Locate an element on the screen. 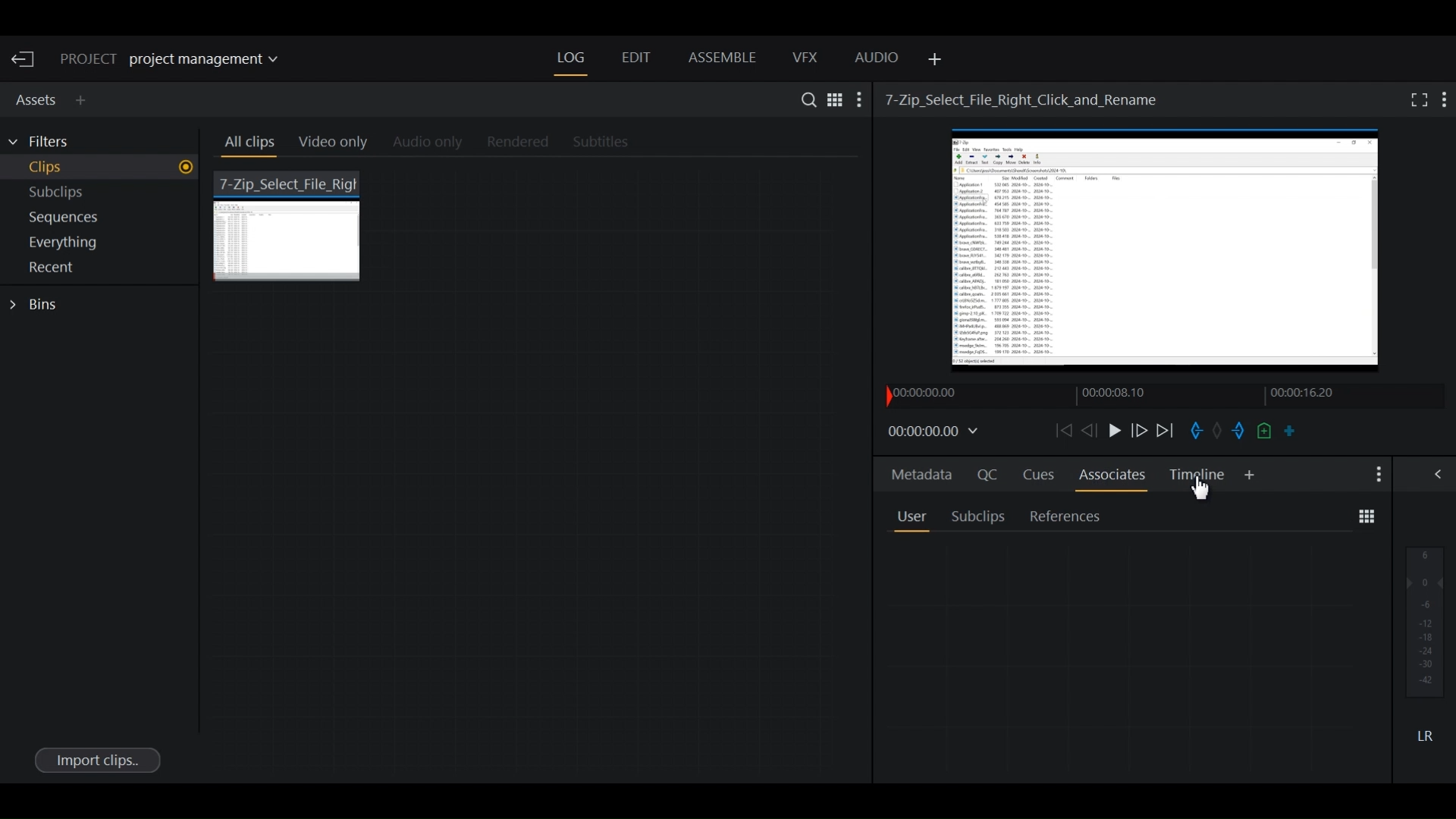 The height and width of the screenshot is (819, 1456). Associates is located at coordinates (1112, 475).